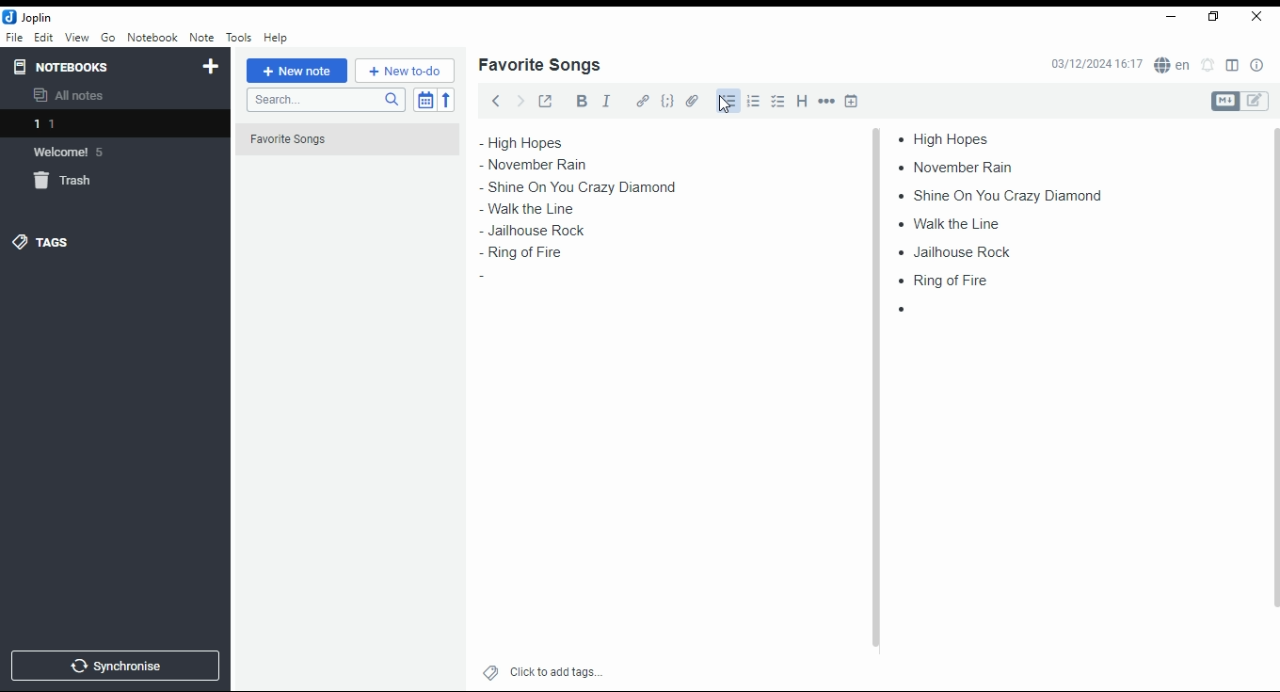  Describe the element at coordinates (1216, 17) in the screenshot. I see `restore` at that location.